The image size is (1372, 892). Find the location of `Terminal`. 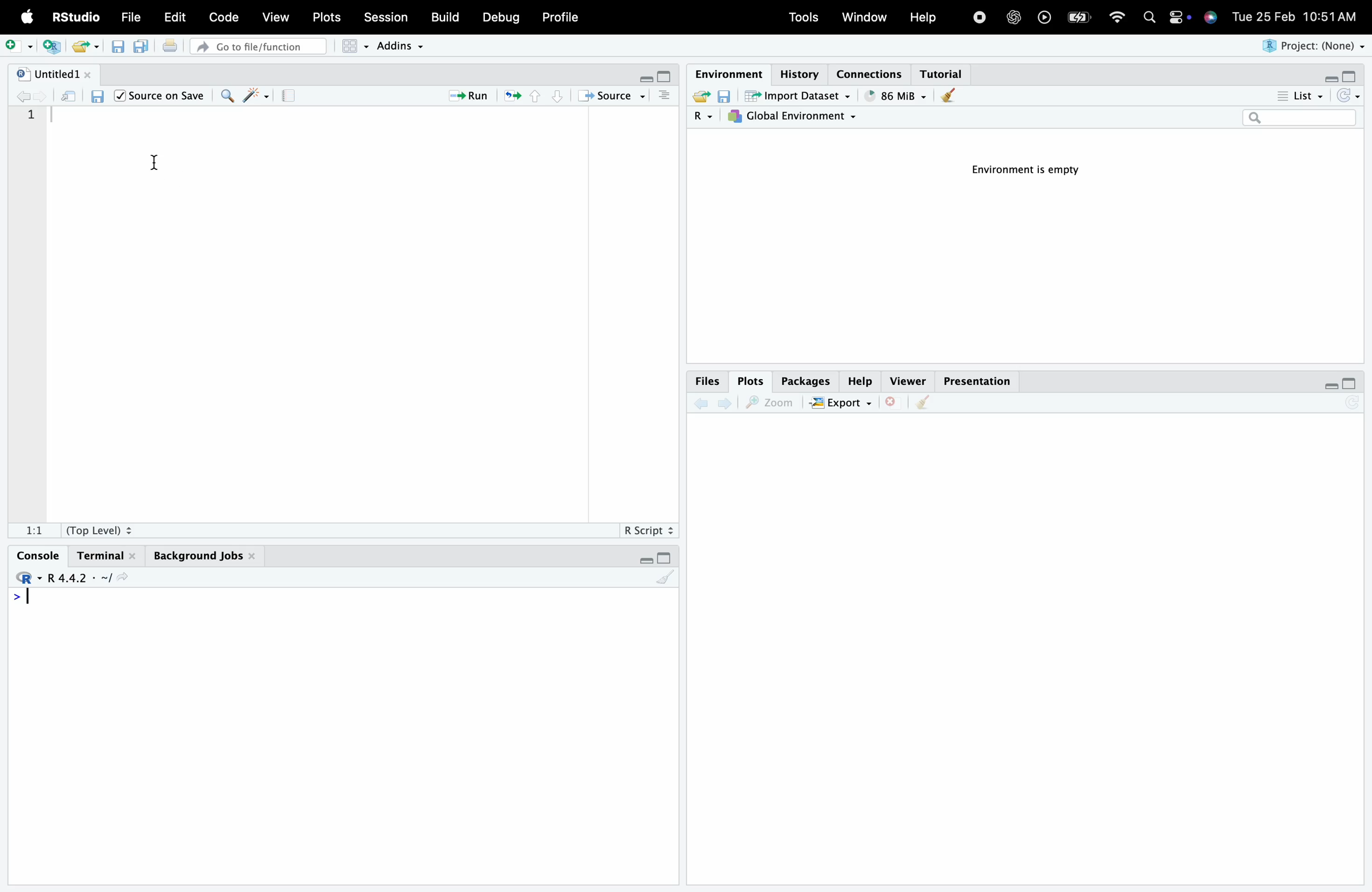

Terminal is located at coordinates (105, 552).